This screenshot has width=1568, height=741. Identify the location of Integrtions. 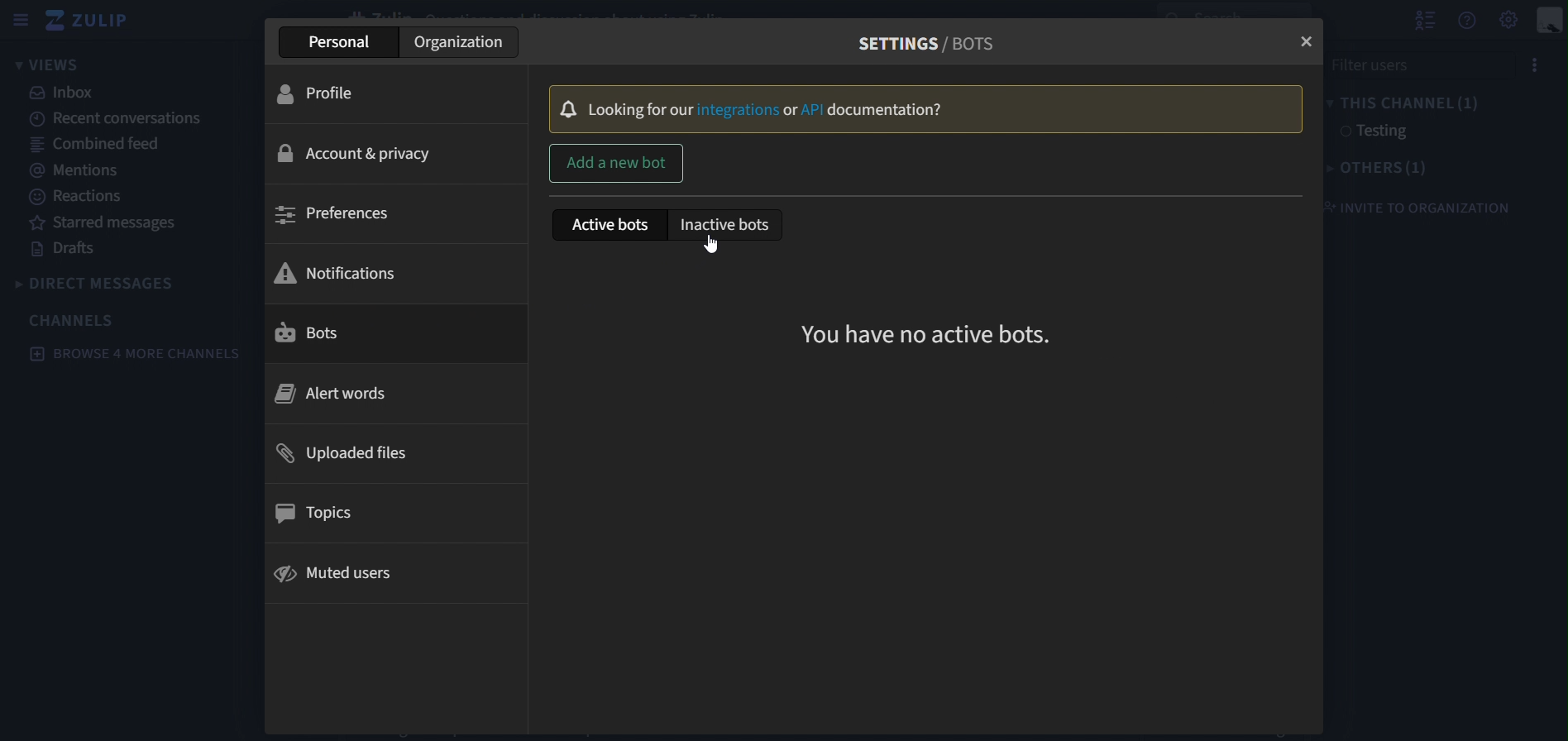
(739, 109).